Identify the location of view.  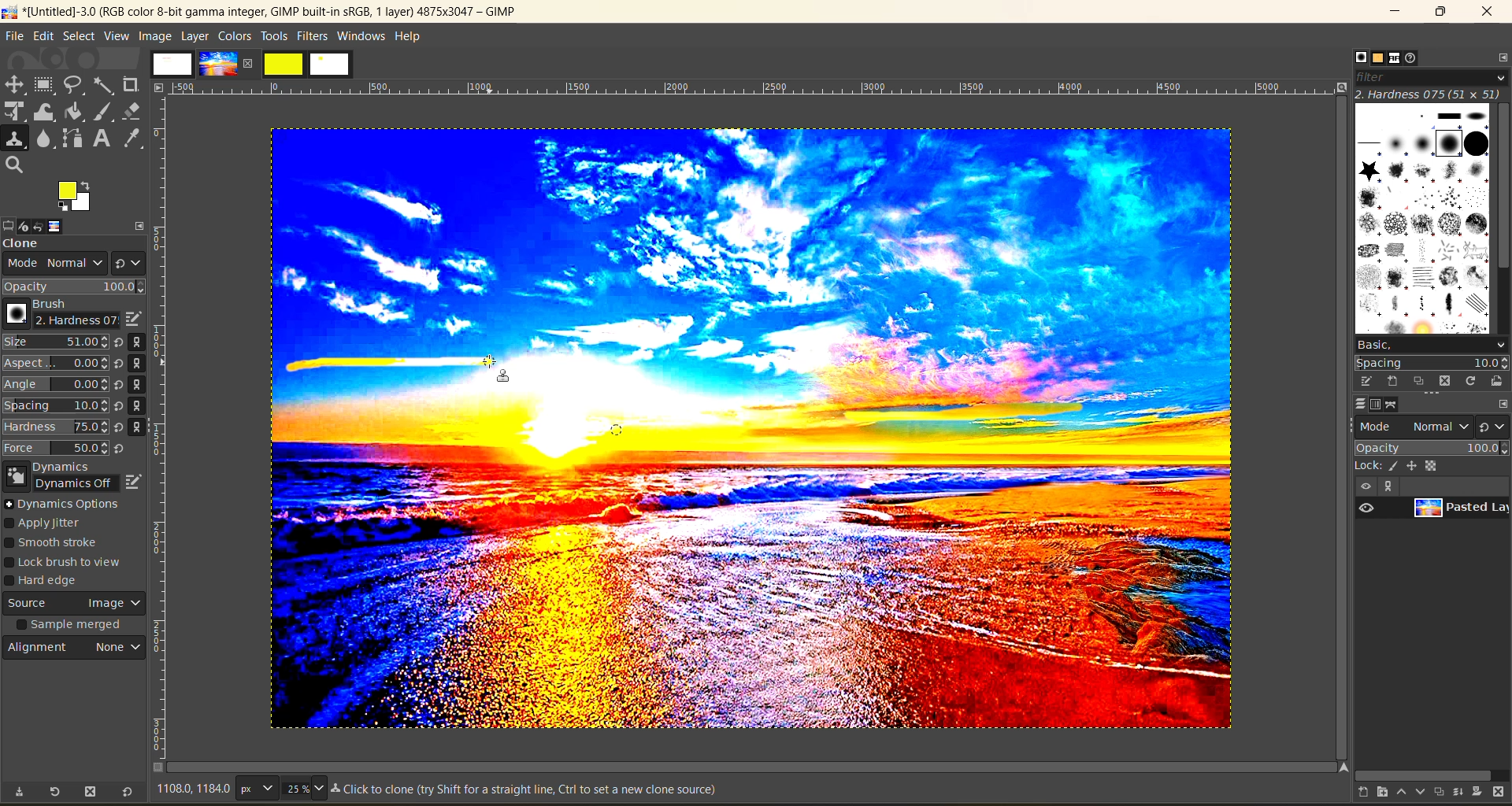
(117, 36).